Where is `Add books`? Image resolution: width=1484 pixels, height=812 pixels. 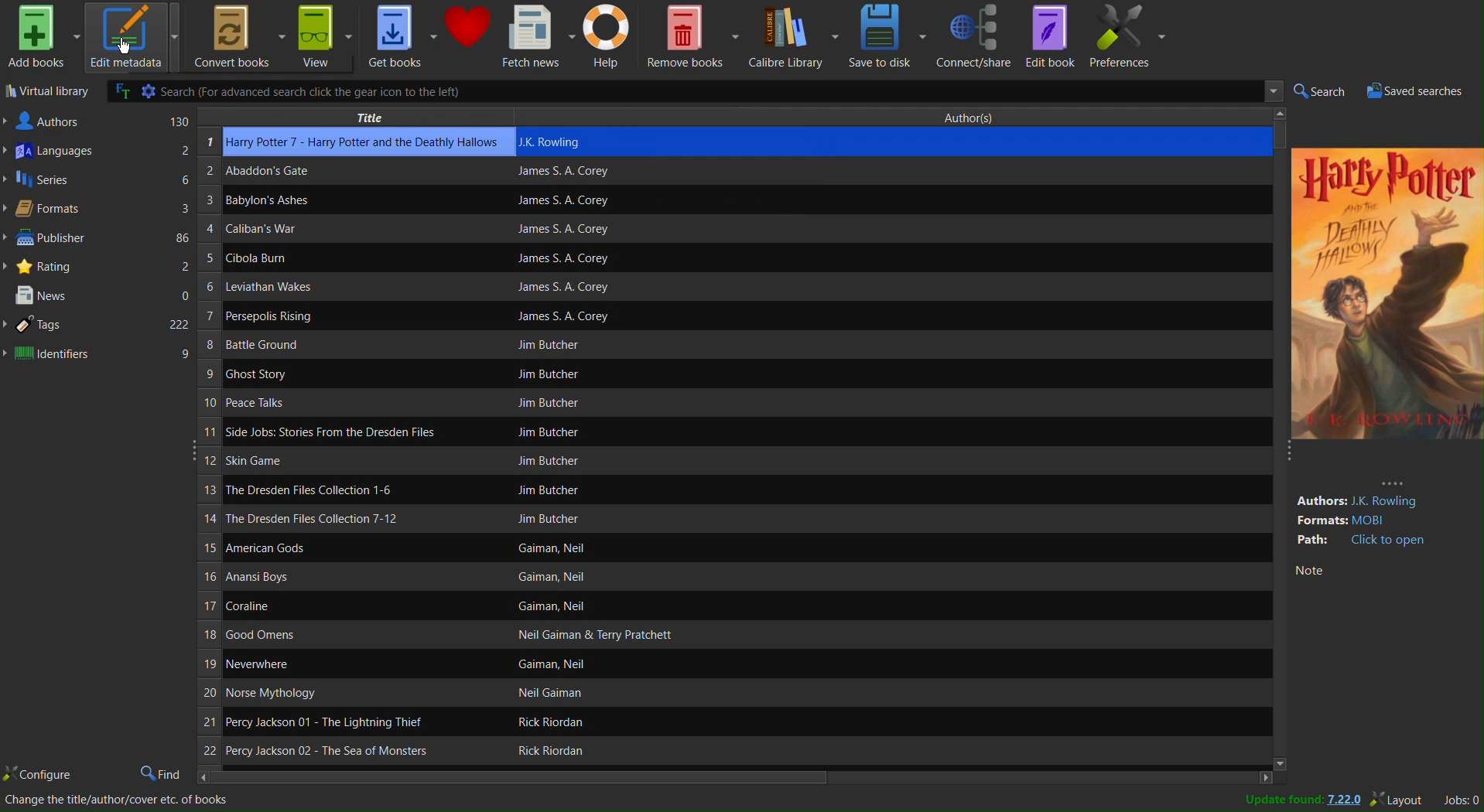 Add books is located at coordinates (41, 38).